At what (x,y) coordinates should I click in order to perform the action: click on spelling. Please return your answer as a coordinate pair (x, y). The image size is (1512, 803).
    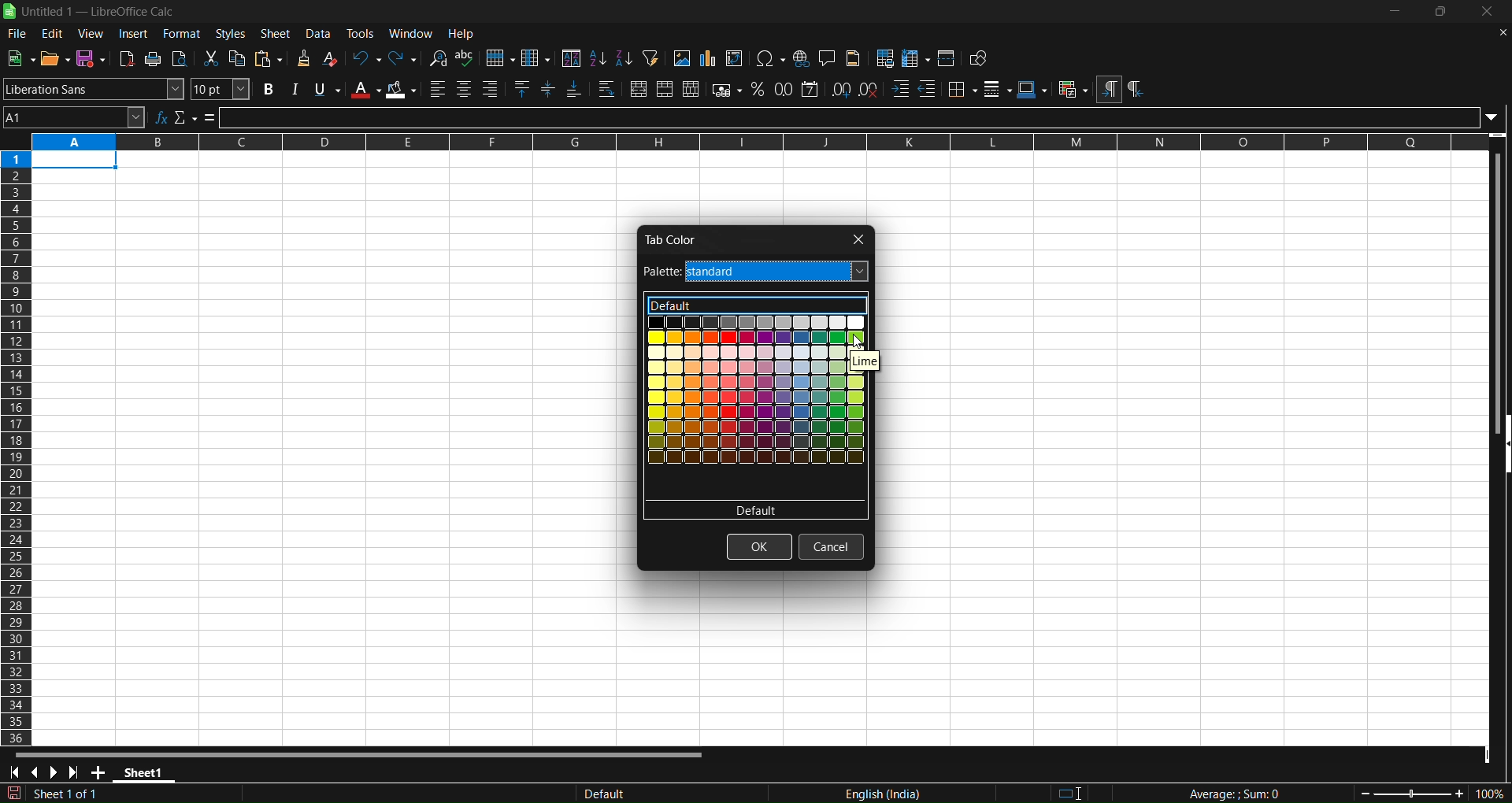
    Looking at the image, I should click on (465, 58).